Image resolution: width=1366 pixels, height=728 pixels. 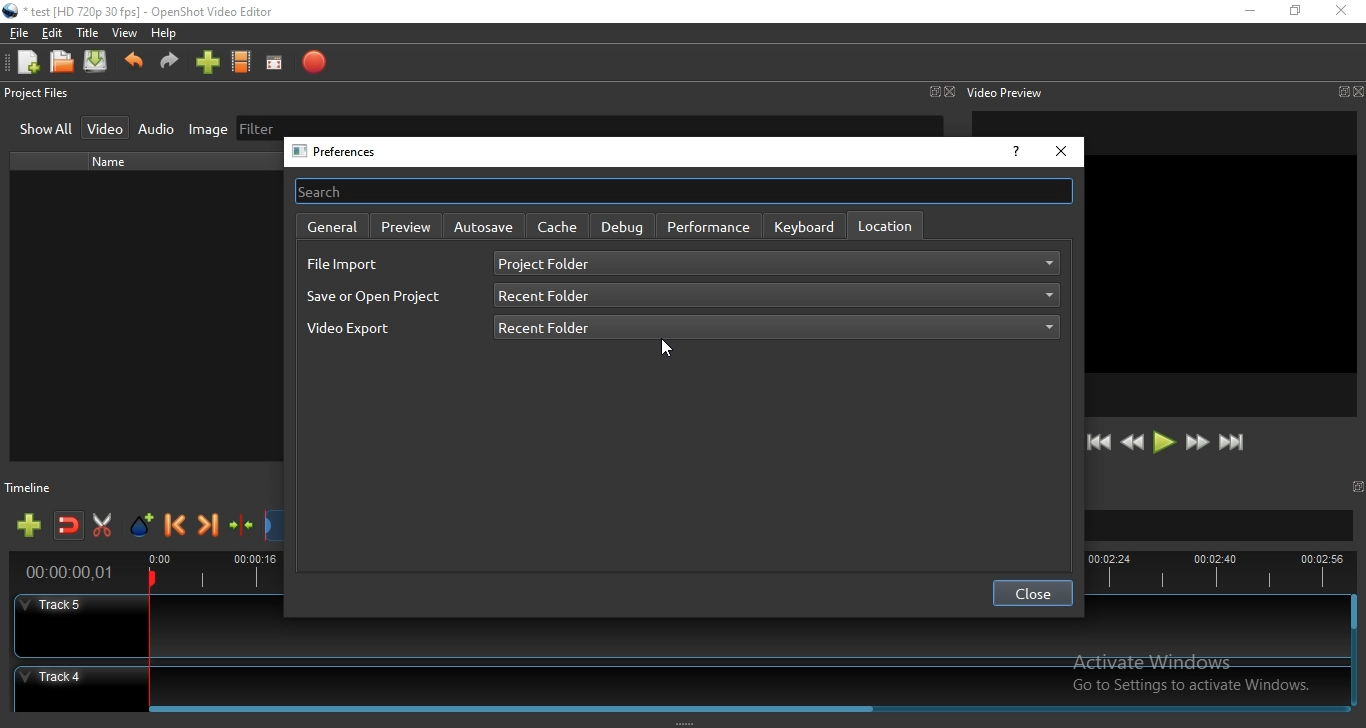 I want to click on close, so click(x=1061, y=152).